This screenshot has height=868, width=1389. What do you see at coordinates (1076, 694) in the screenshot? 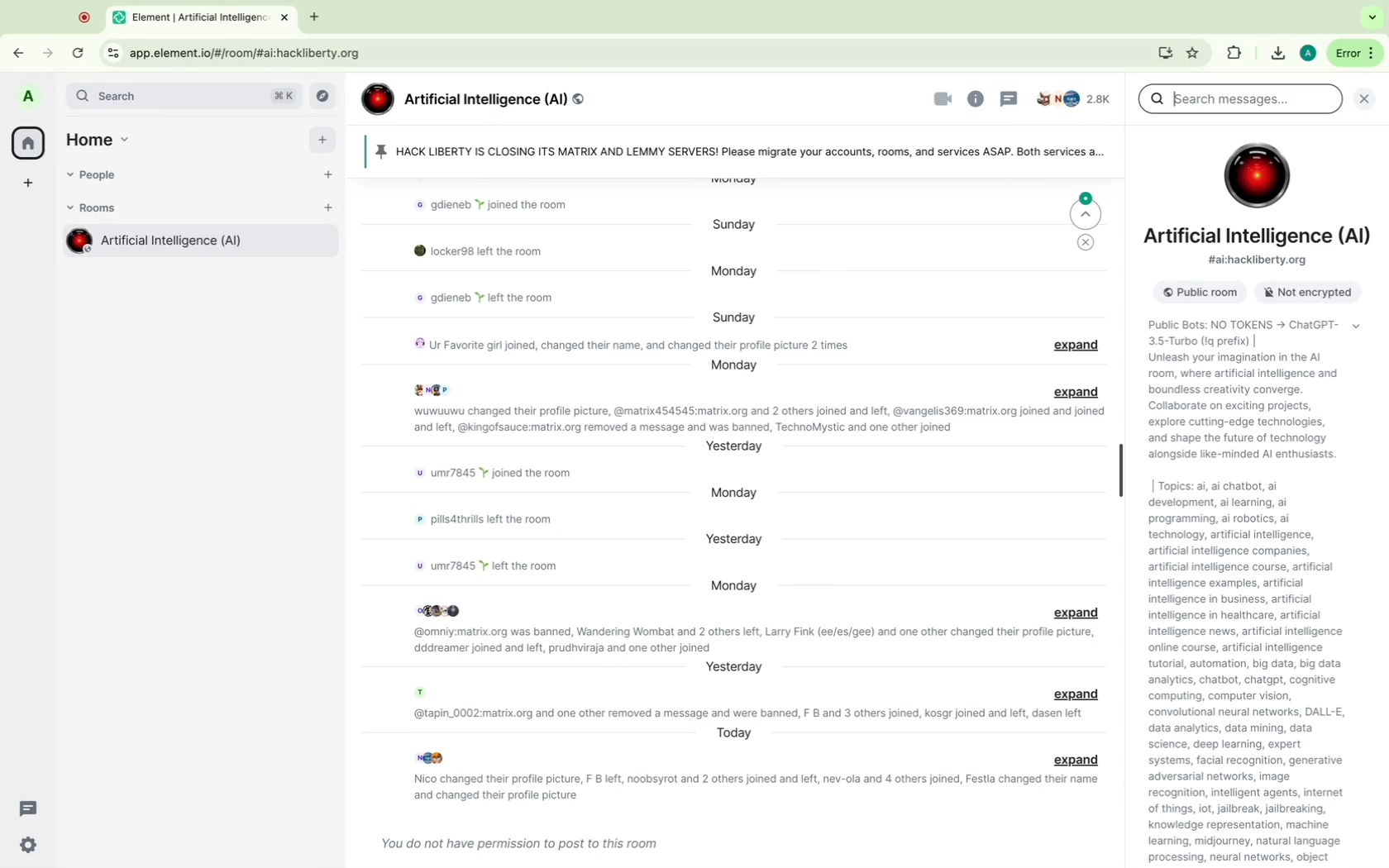
I see `expand` at bounding box center [1076, 694].